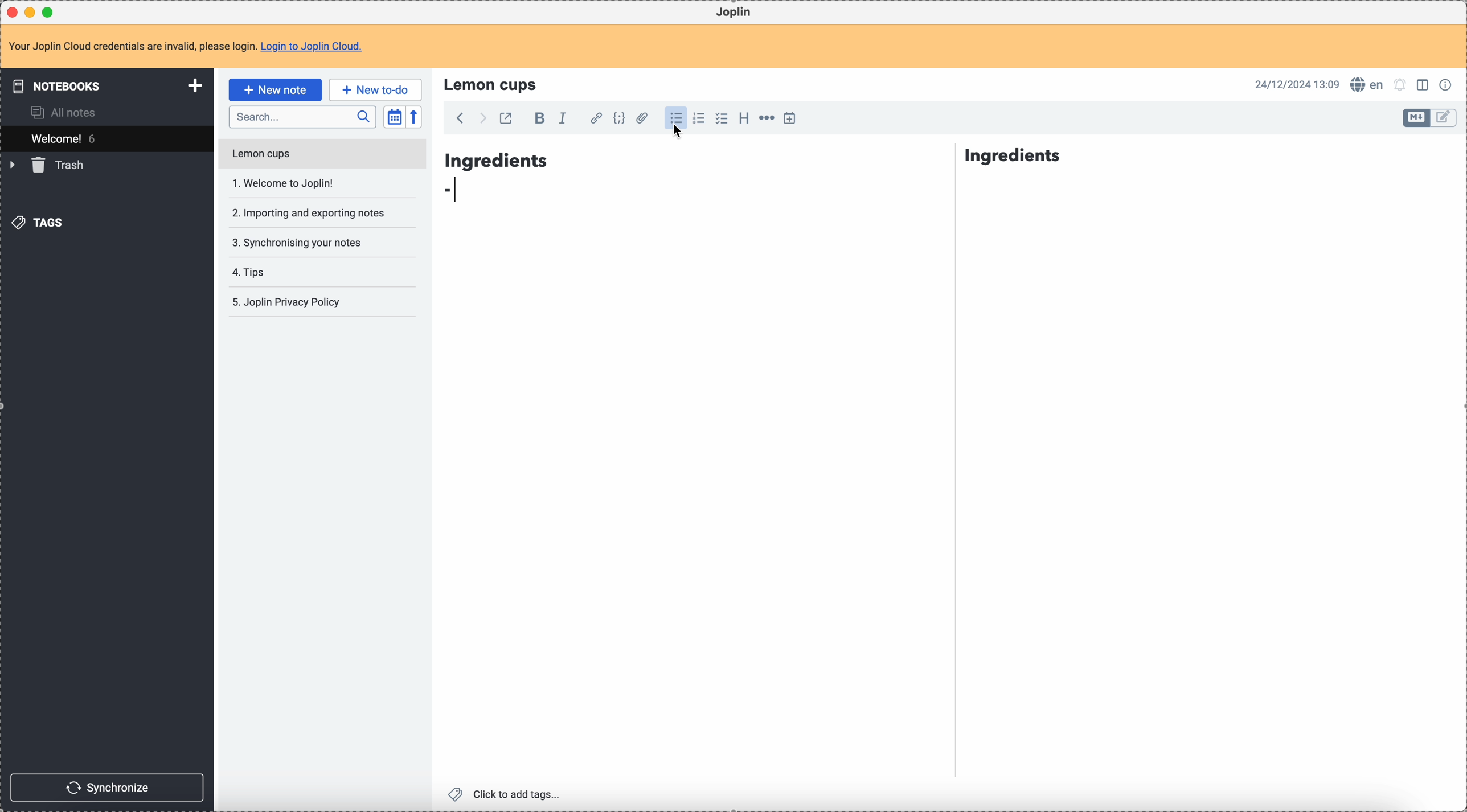 The width and height of the screenshot is (1467, 812). What do you see at coordinates (744, 117) in the screenshot?
I see `heading` at bounding box center [744, 117].